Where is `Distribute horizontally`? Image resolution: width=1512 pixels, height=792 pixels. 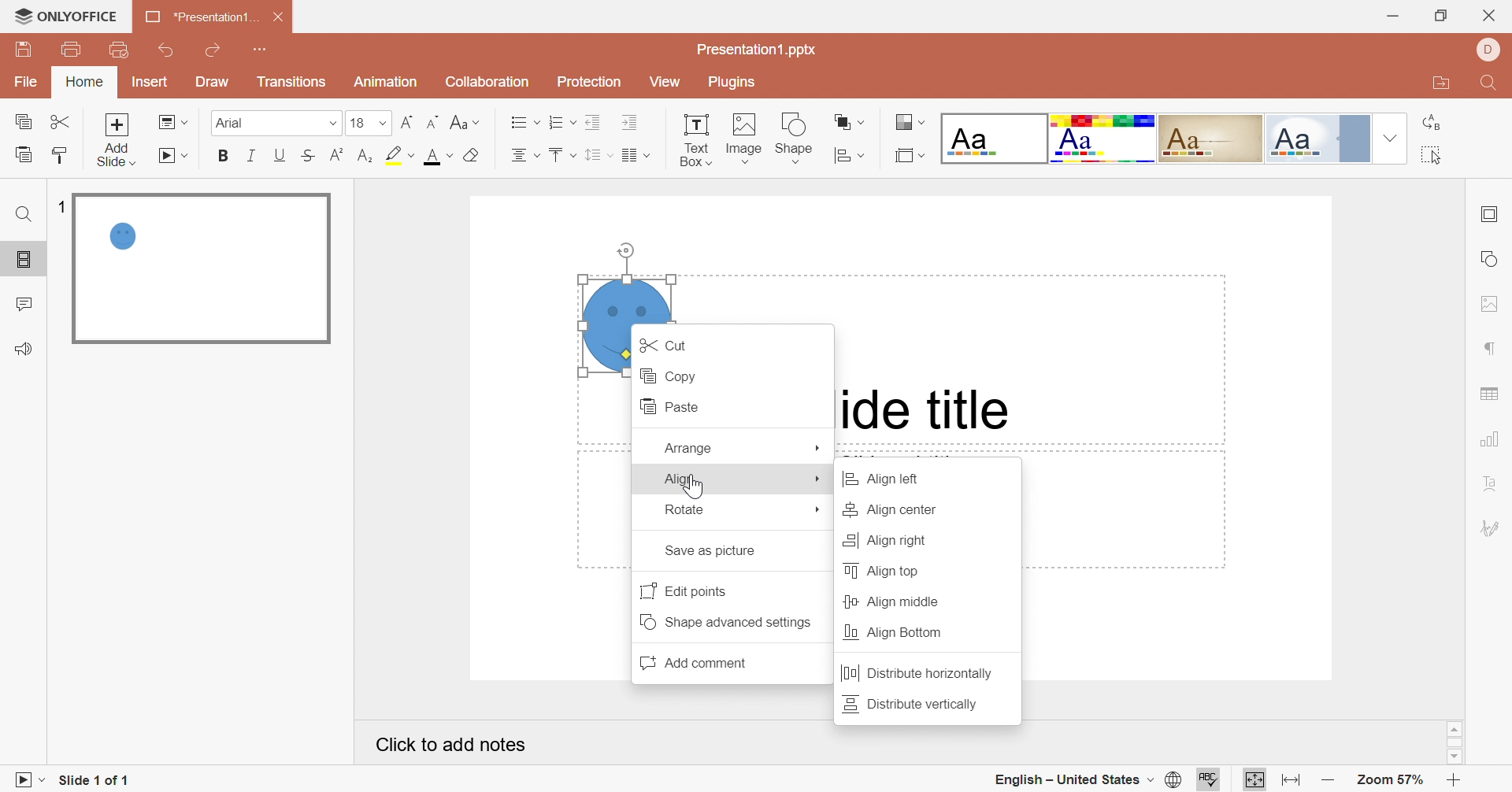 Distribute horizontally is located at coordinates (919, 675).